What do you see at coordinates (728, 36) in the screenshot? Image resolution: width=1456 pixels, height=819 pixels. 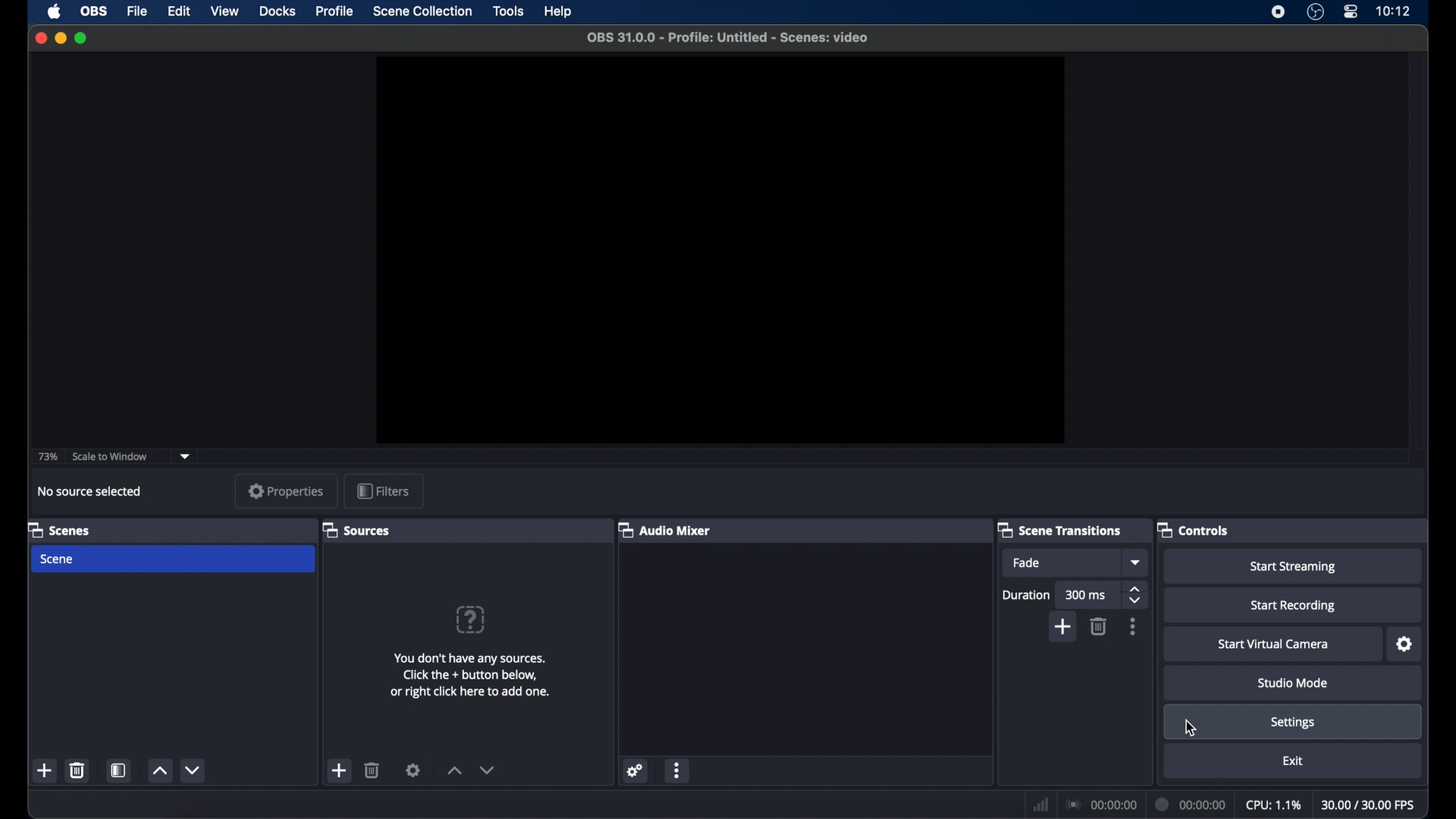 I see `OBS 31.0.0 - Profile: Untitled - Scenes: video` at bounding box center [728, 36].